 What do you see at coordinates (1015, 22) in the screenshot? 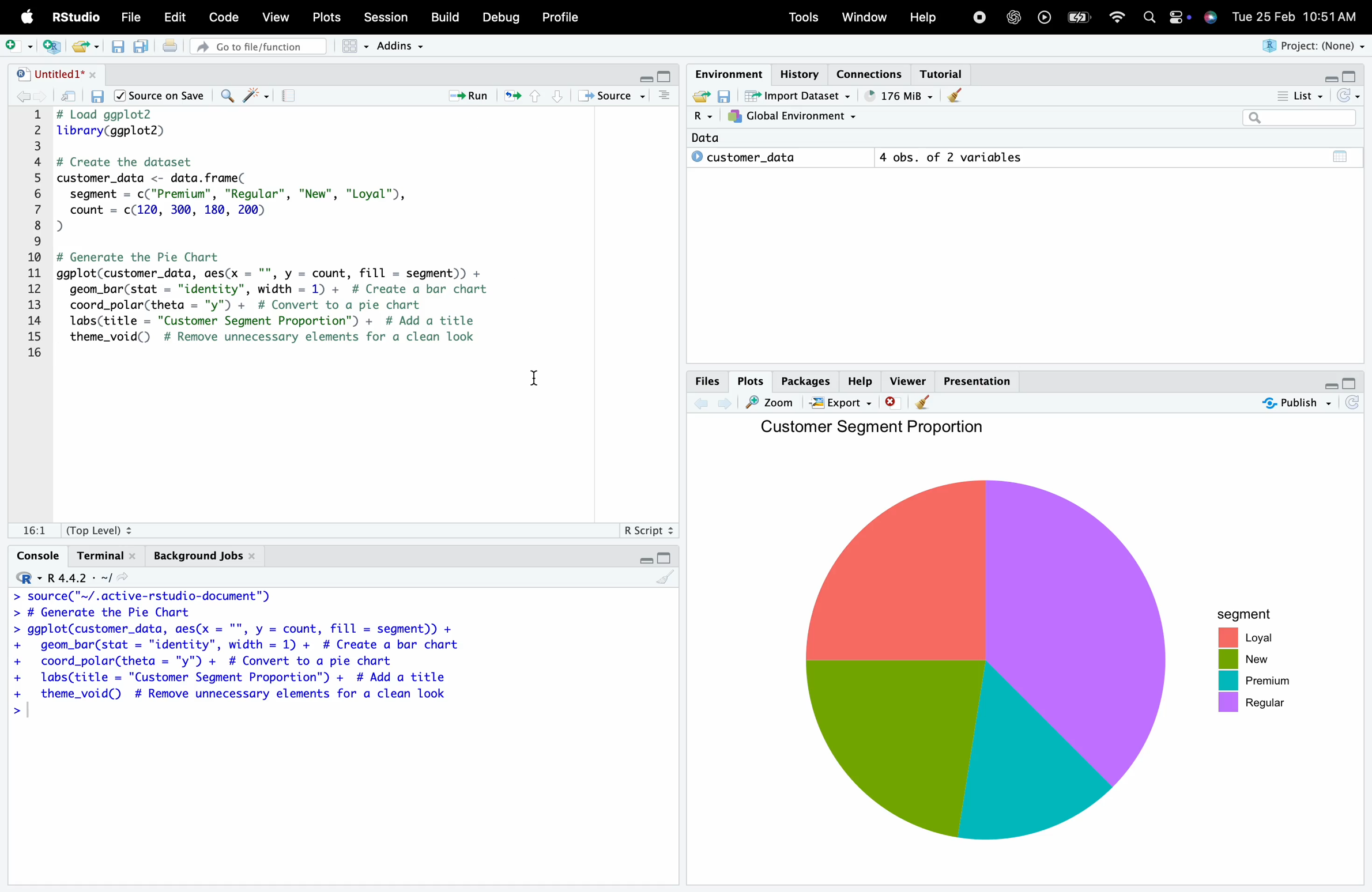
I see `open AI` at bounding box center [1015, 22].